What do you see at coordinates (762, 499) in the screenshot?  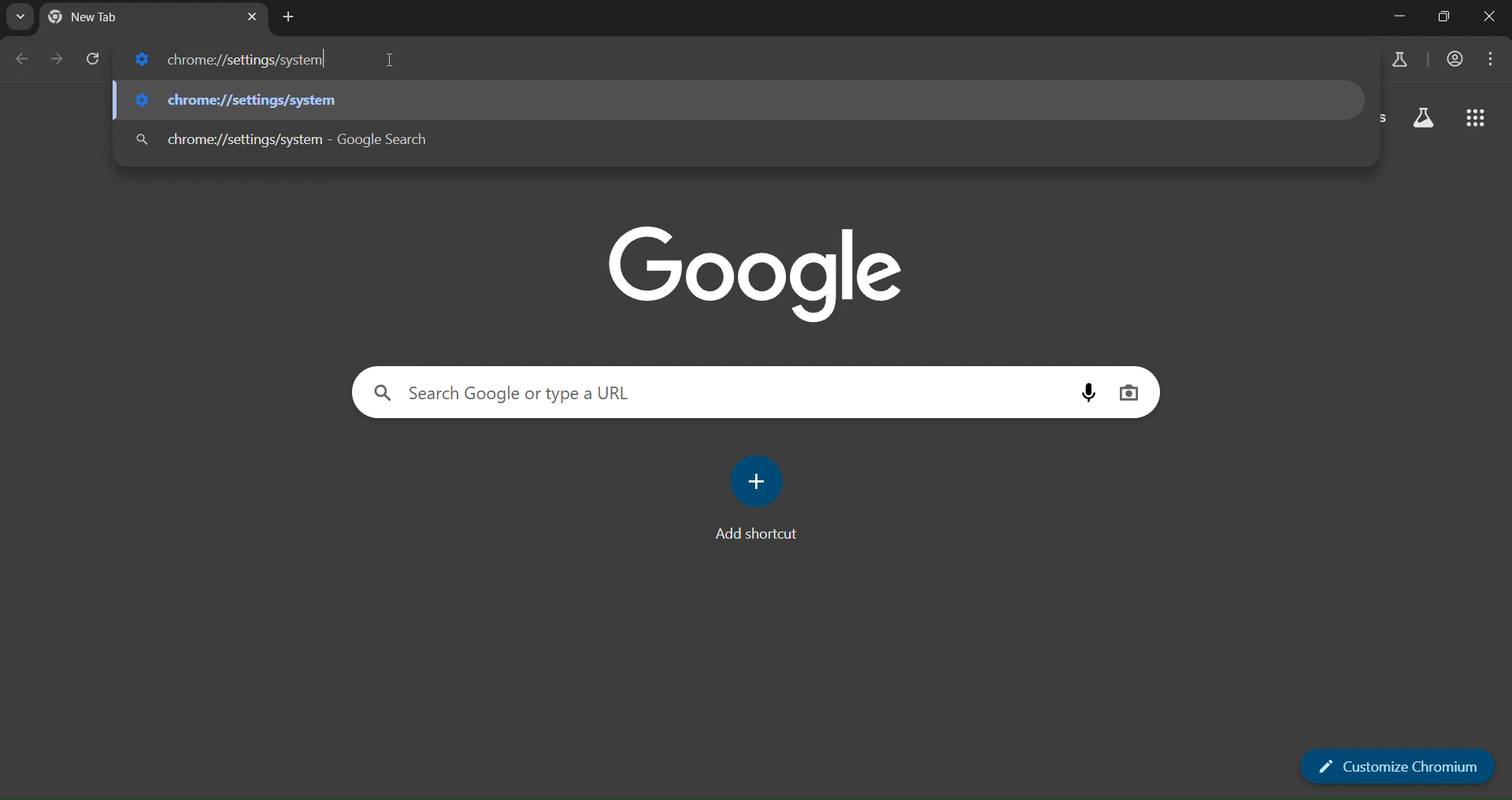 I see `add shortcut` at bounding box center [762, 499].